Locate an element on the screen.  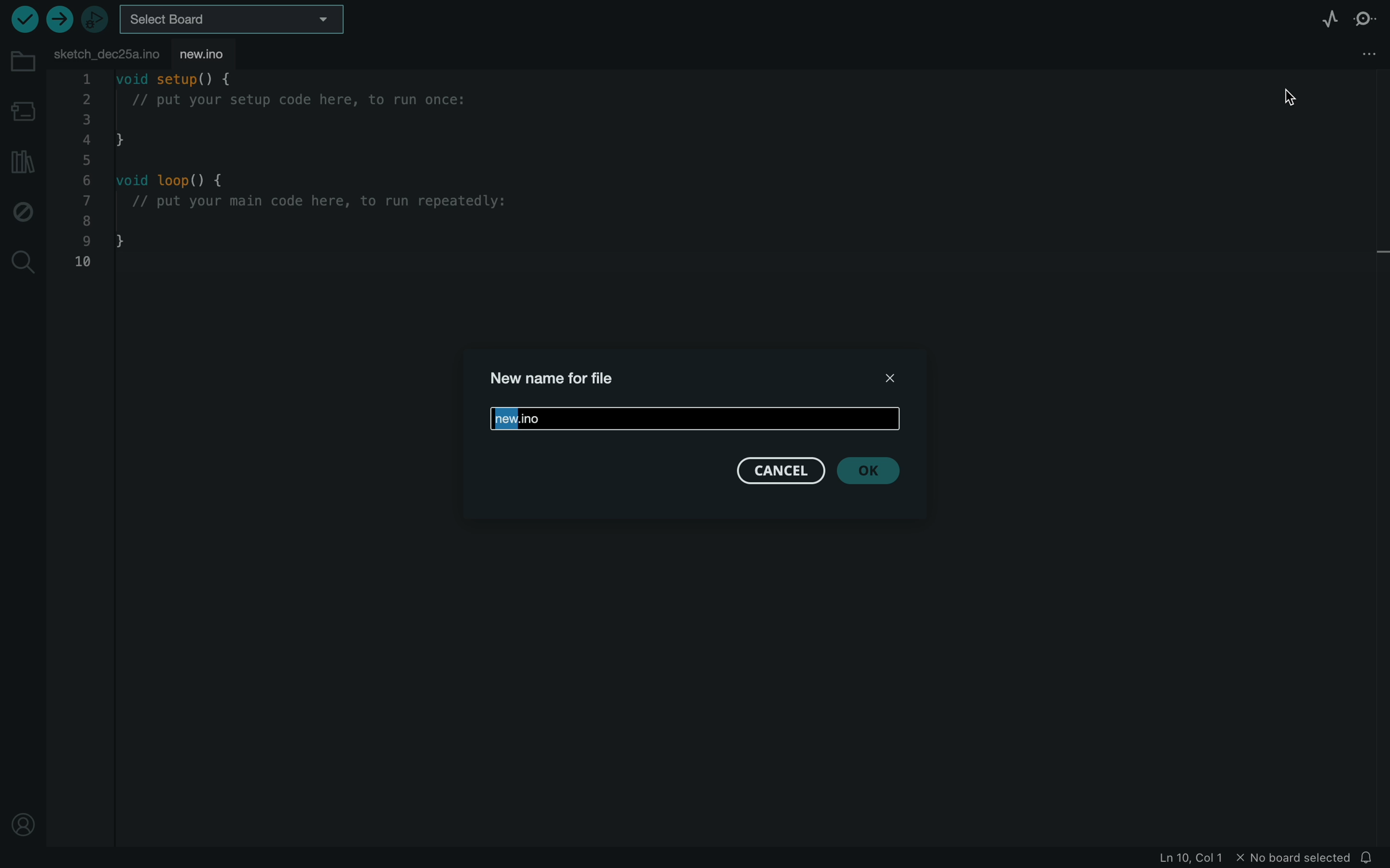
search is located at coordinates (24, 262).